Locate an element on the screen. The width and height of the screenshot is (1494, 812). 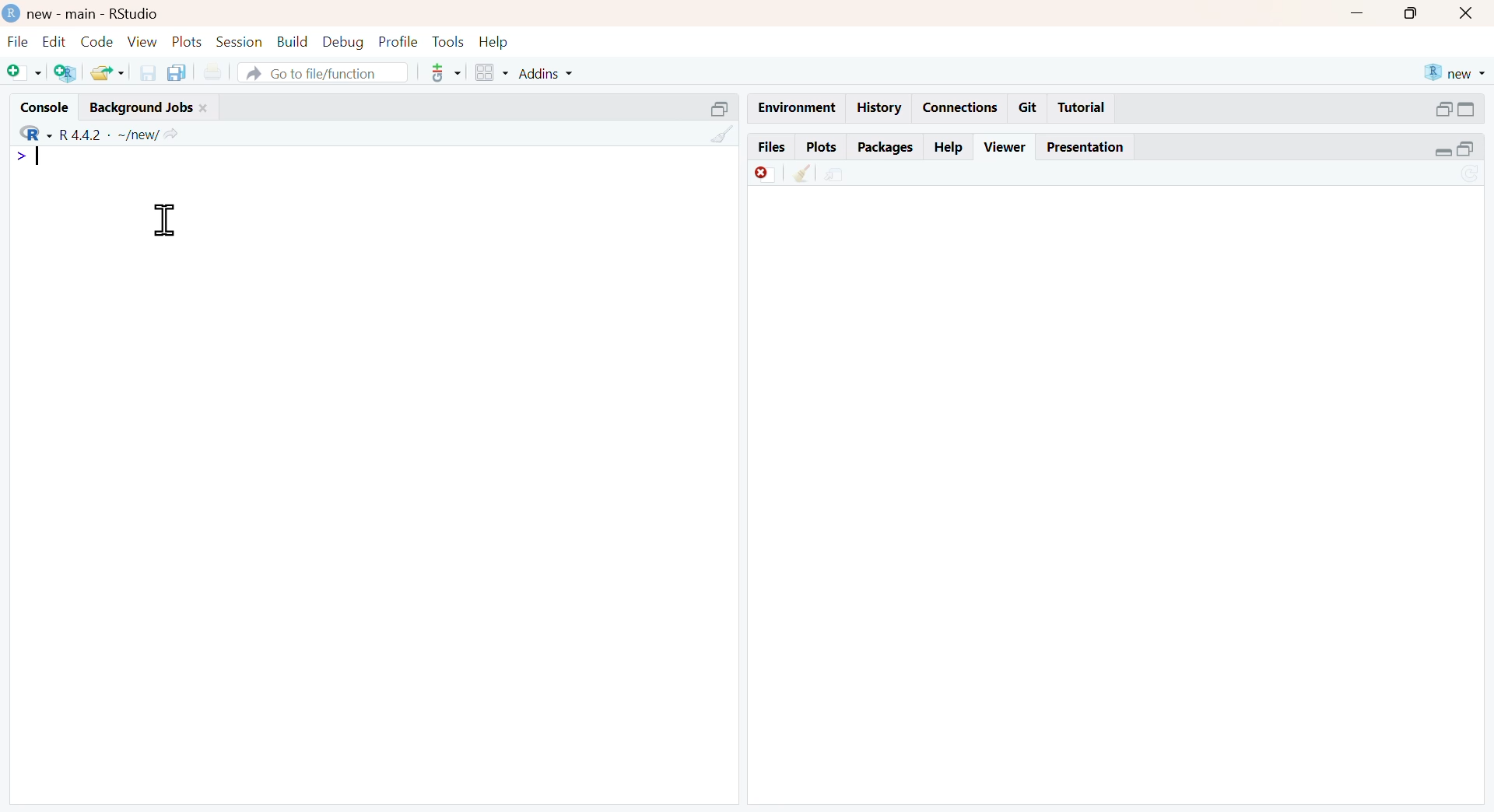
maximize is located at coordinates (1468, 110).